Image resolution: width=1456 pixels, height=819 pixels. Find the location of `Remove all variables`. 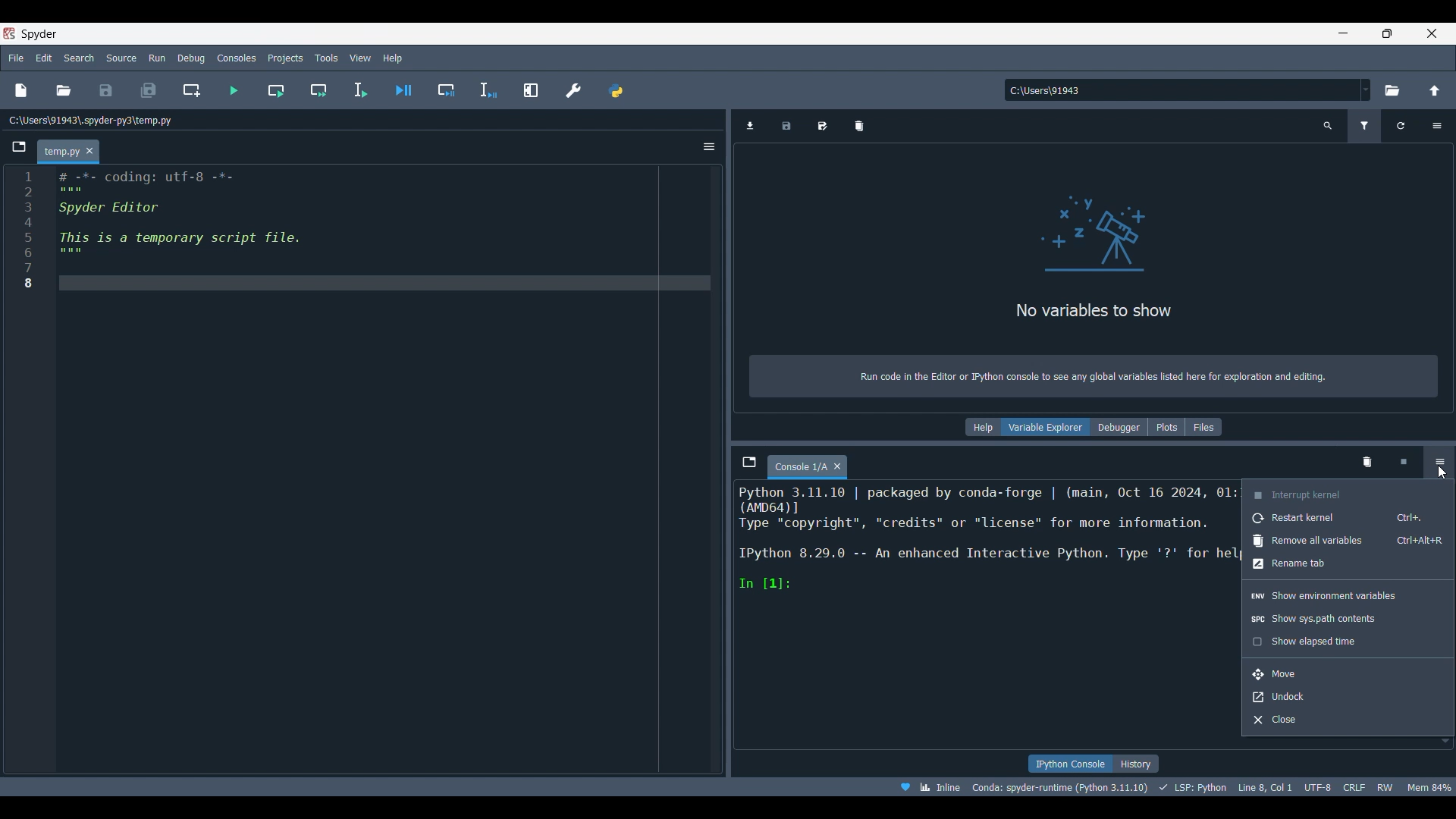

Remove all variables is located at coordinates (1349, 541).